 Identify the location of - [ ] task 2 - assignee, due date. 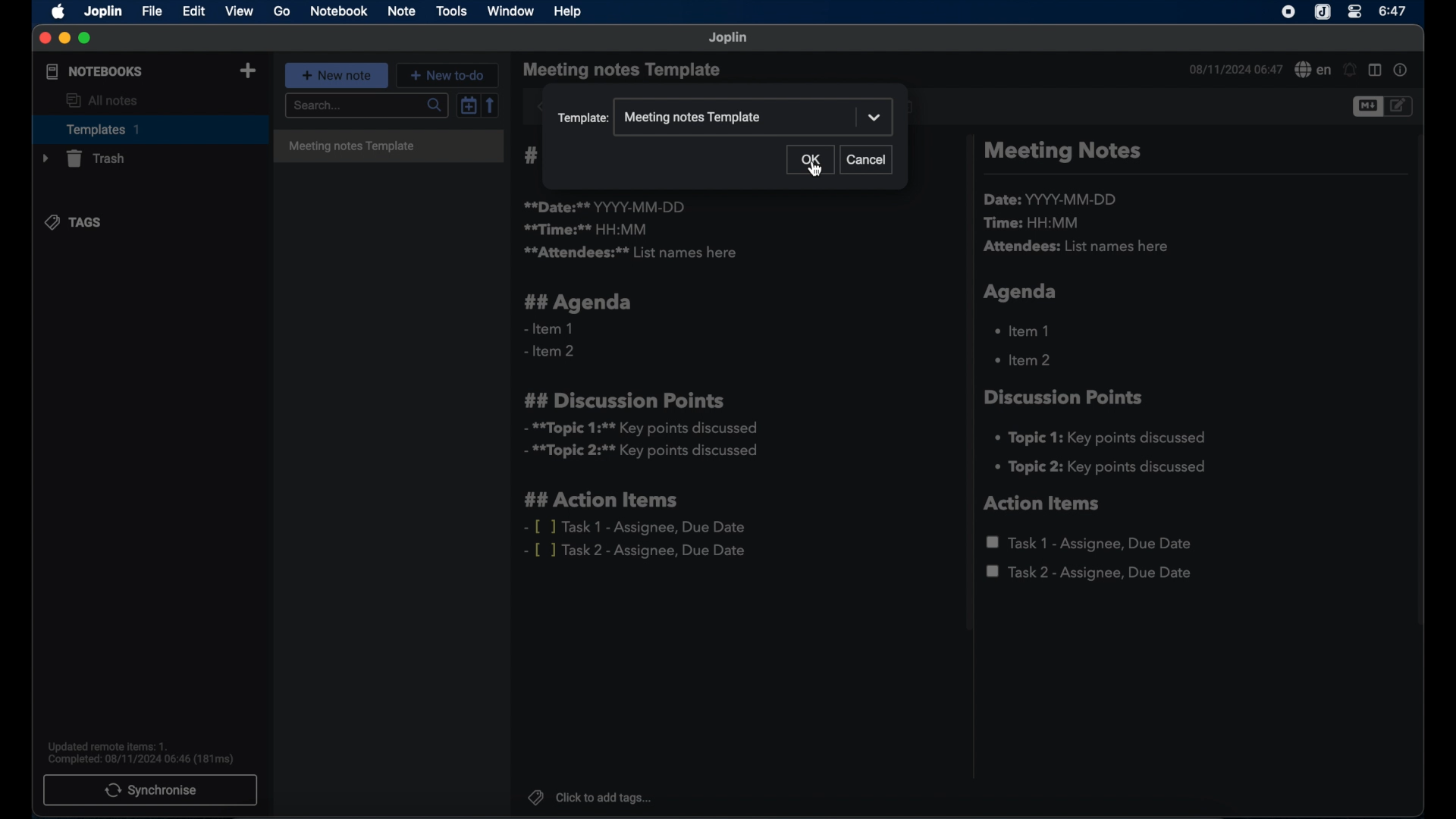
(638, 551).